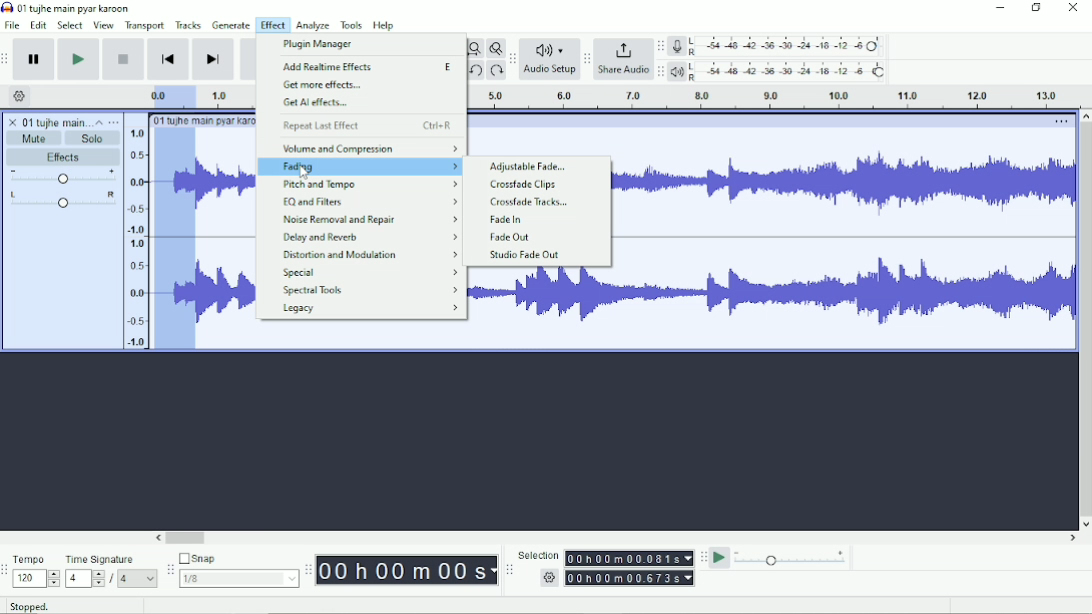  I want to click on Undo, so click(478, 72).